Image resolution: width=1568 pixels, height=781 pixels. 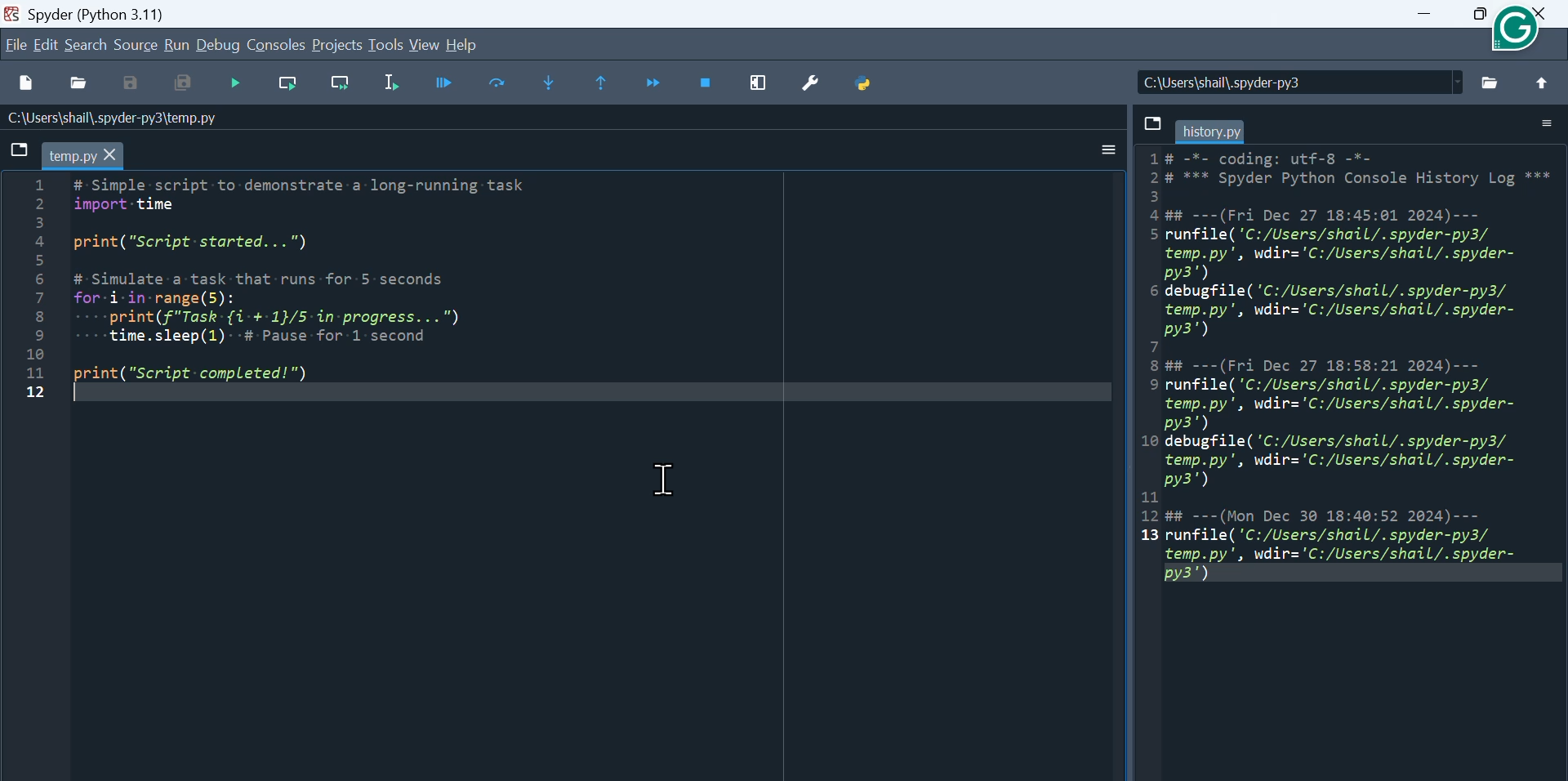 What do you see at coordinates (339, 83) in the screenshot?
I see `Run current line and go to the next one` at bounding box center [339, 83].